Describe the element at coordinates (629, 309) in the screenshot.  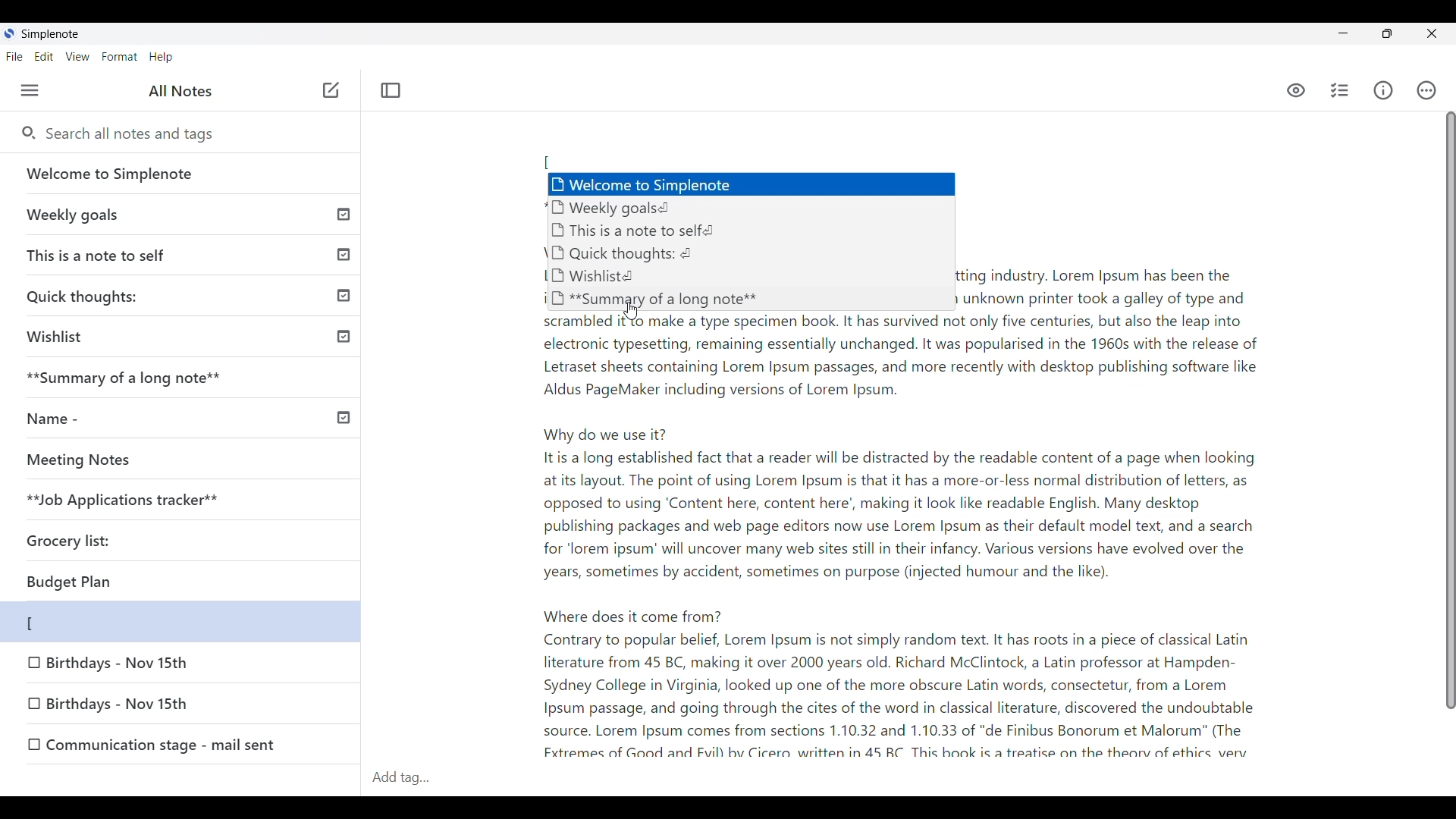
I see `Cursor` at that location.